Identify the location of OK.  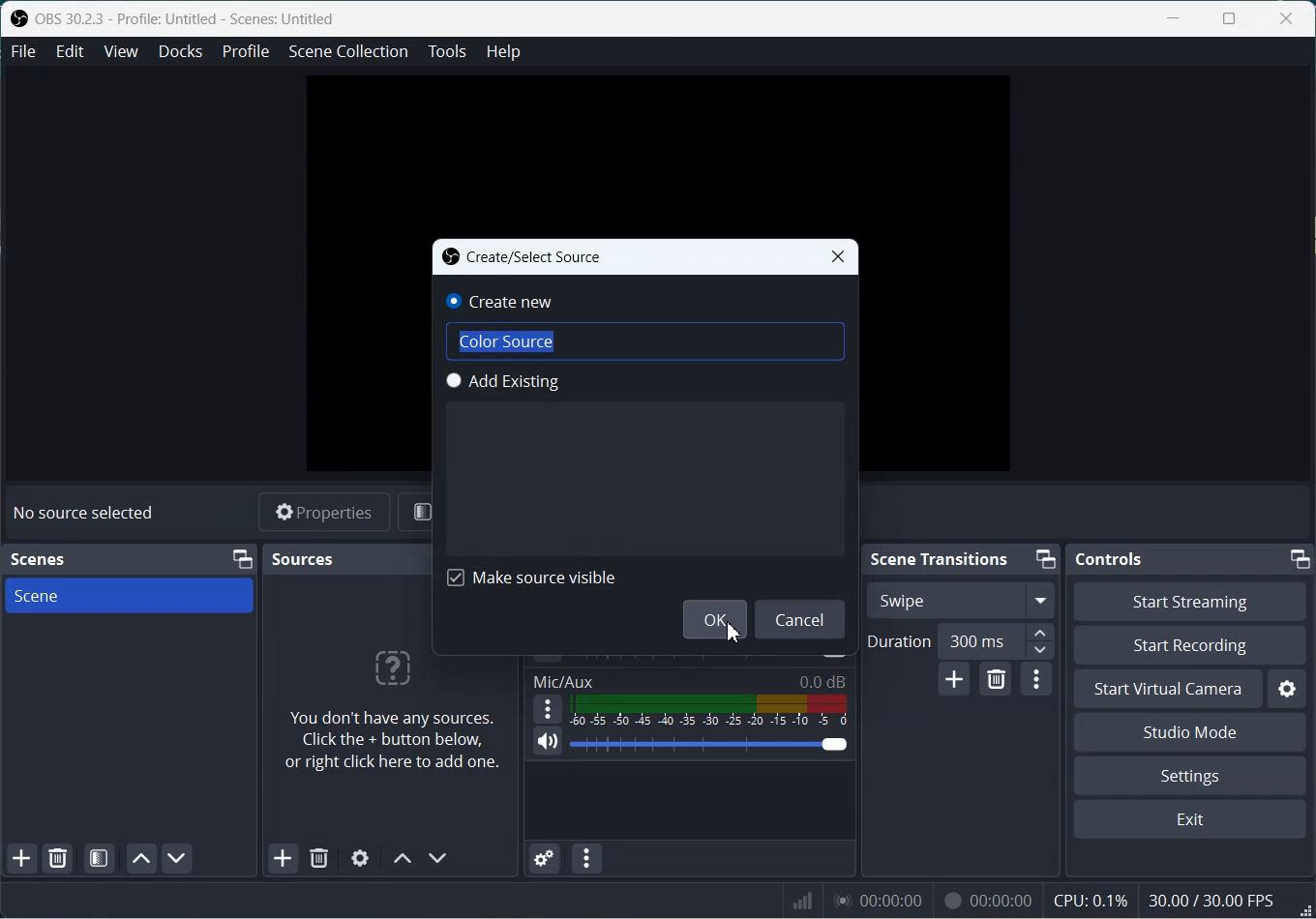
(714, 620).